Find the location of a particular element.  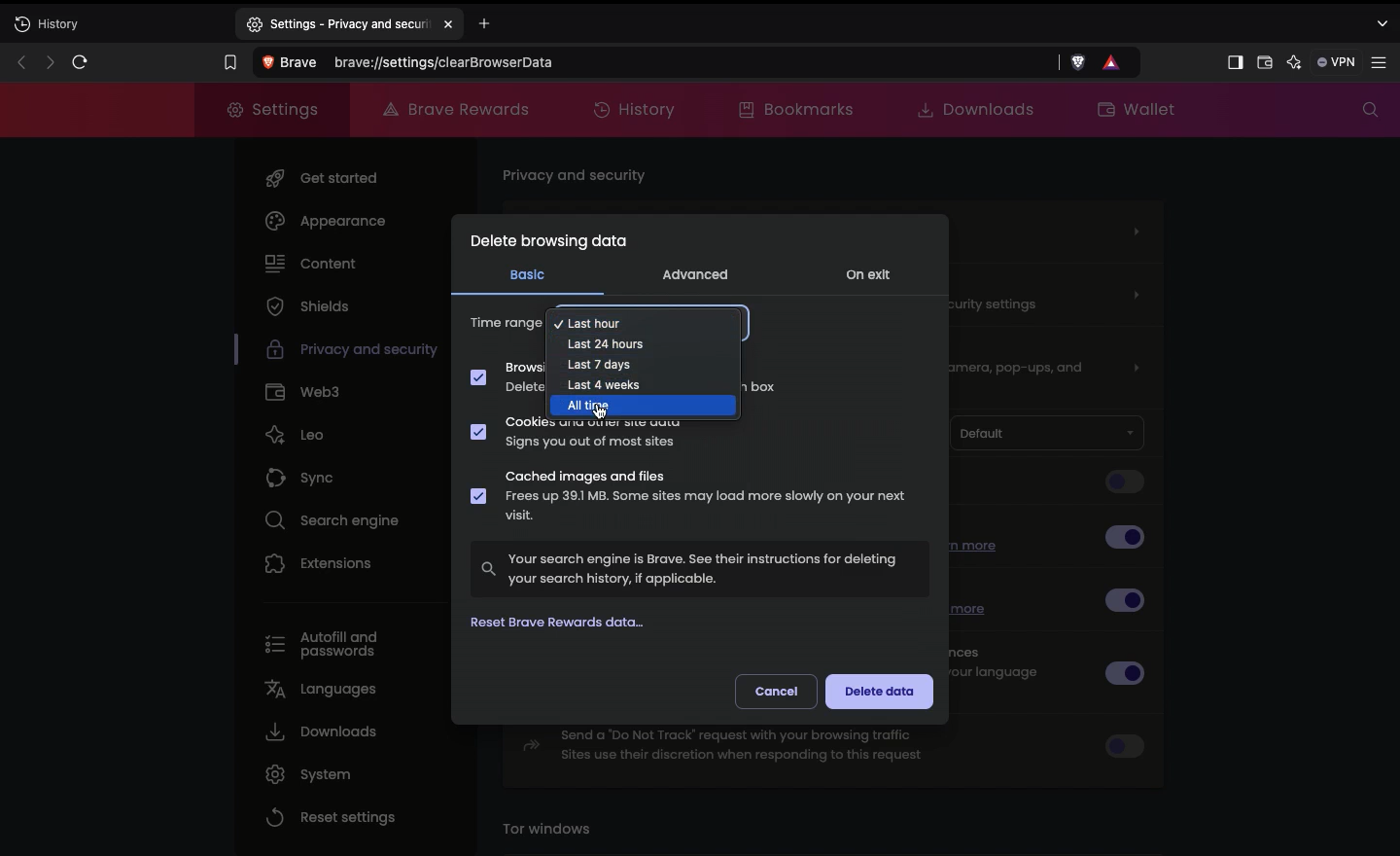

Basic is located at coordinates (527, 274).